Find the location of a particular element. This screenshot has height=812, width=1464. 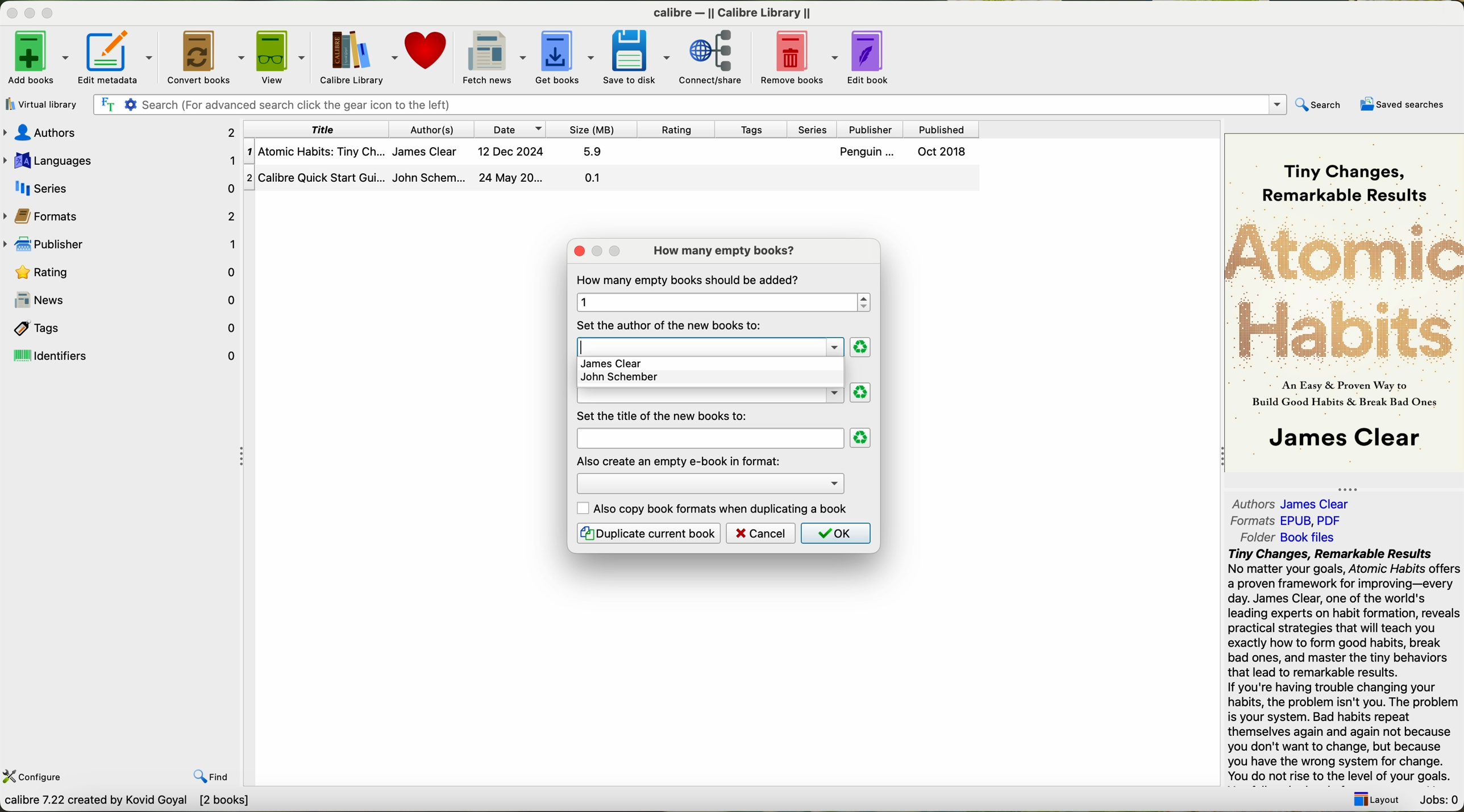

title is located at coordinates (319, 128).